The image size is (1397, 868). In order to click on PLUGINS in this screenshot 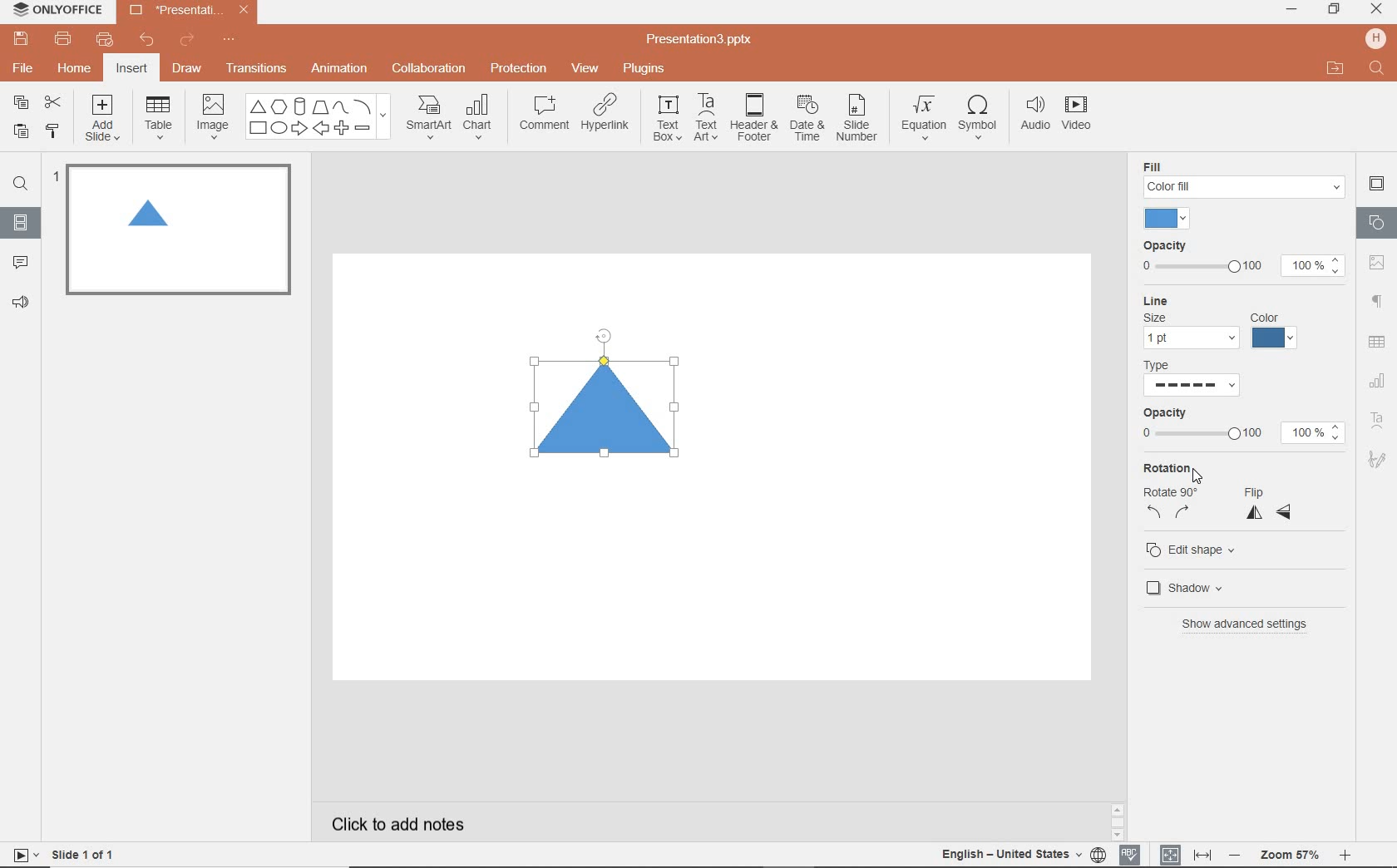, I will do `click(646, 67)`.